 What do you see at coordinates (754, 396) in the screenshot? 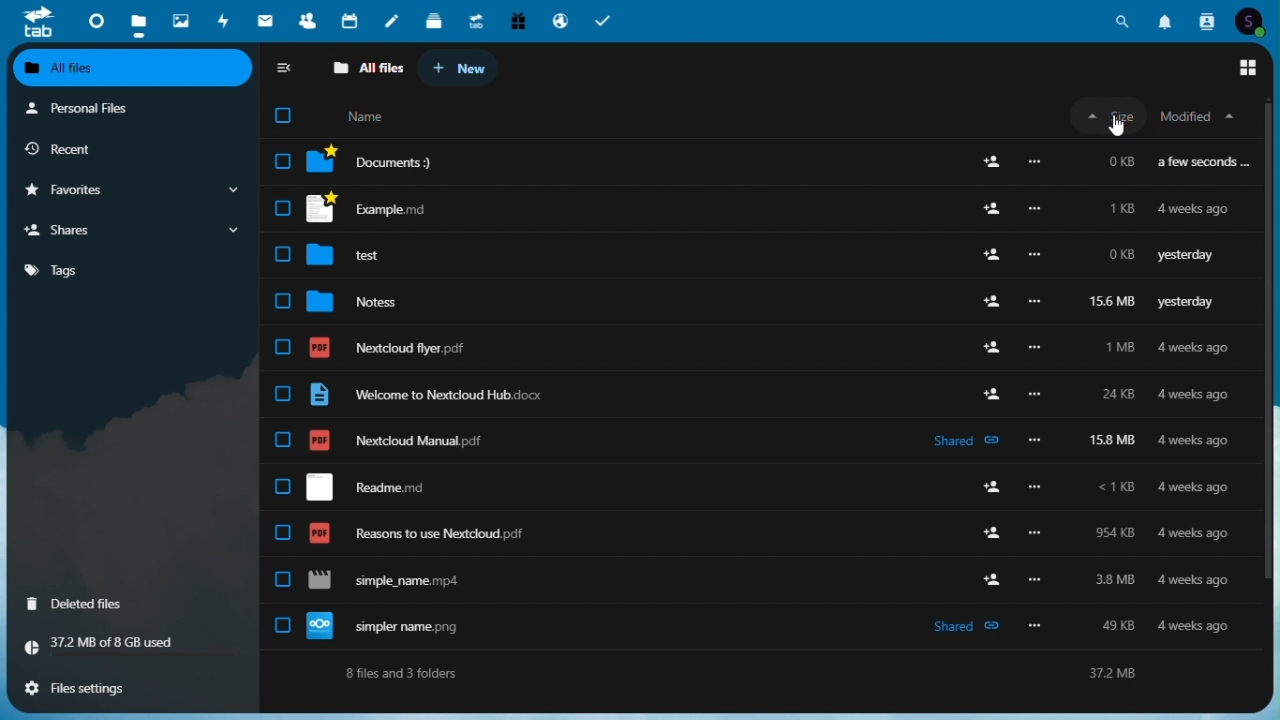
I see `‘Welcome to Nextcdloud Hub docx` at bounding box center [754, 396].